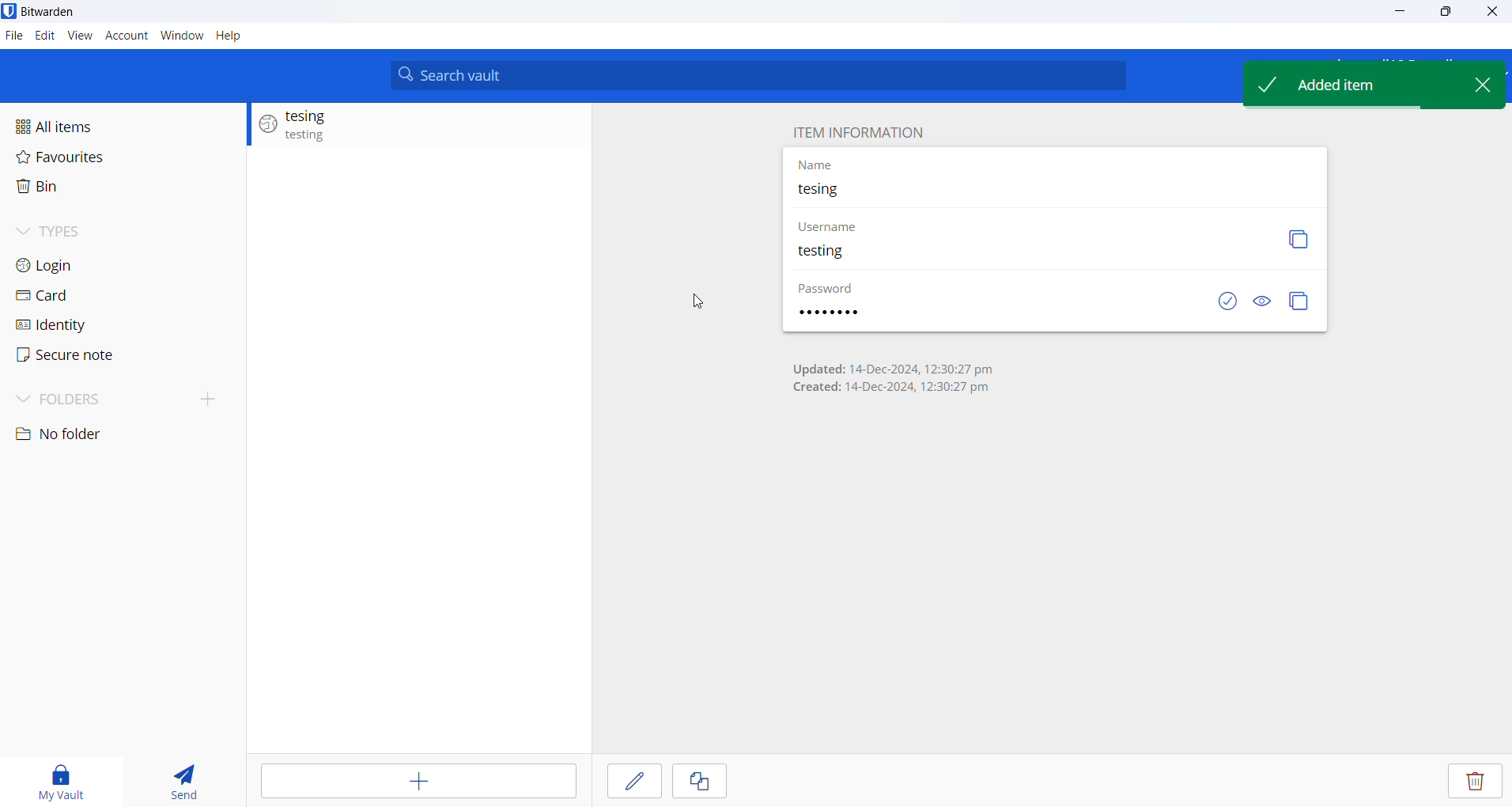  I want to click on minimize, so click(1398, 16).